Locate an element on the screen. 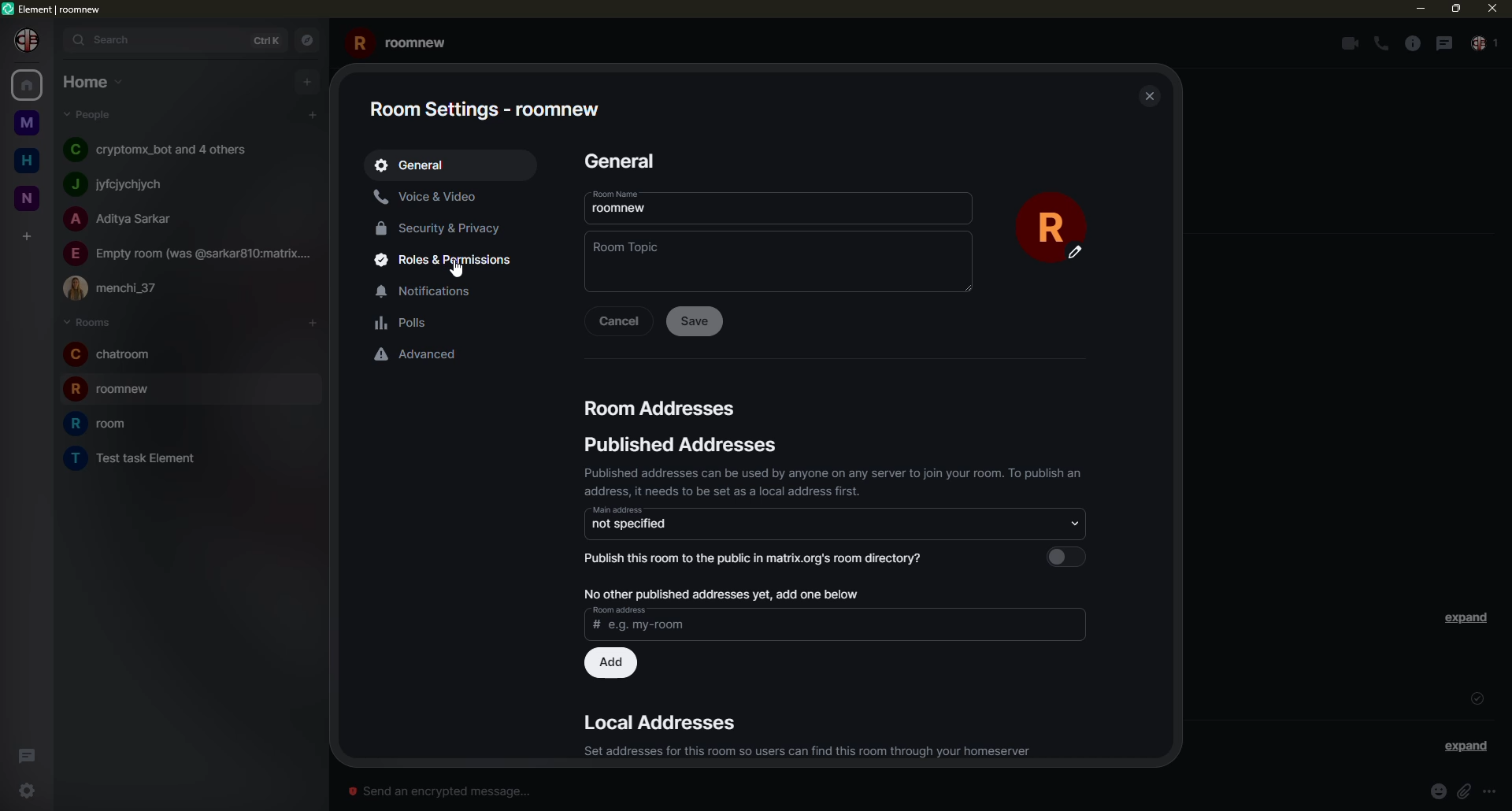 This screenshot has width=1512, height=811. address is located at coordinates (659, 718).